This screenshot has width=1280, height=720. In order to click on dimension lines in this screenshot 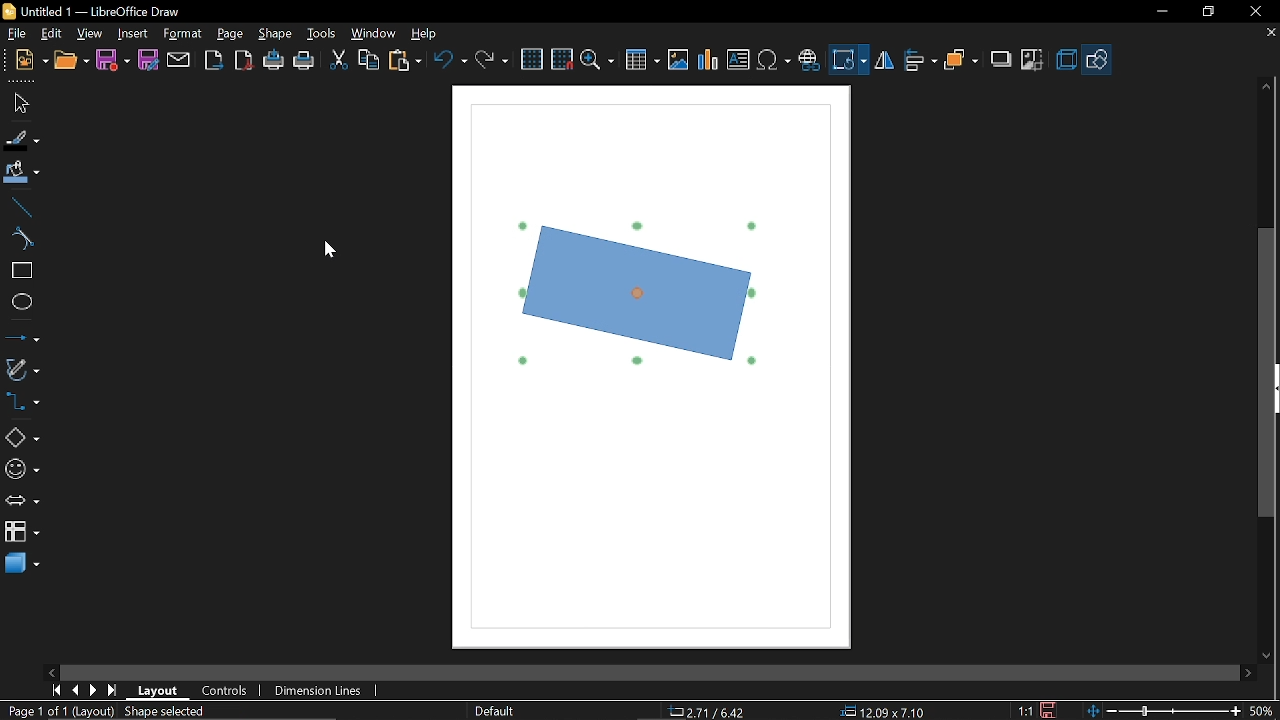, I will do `click(318, 690)`.